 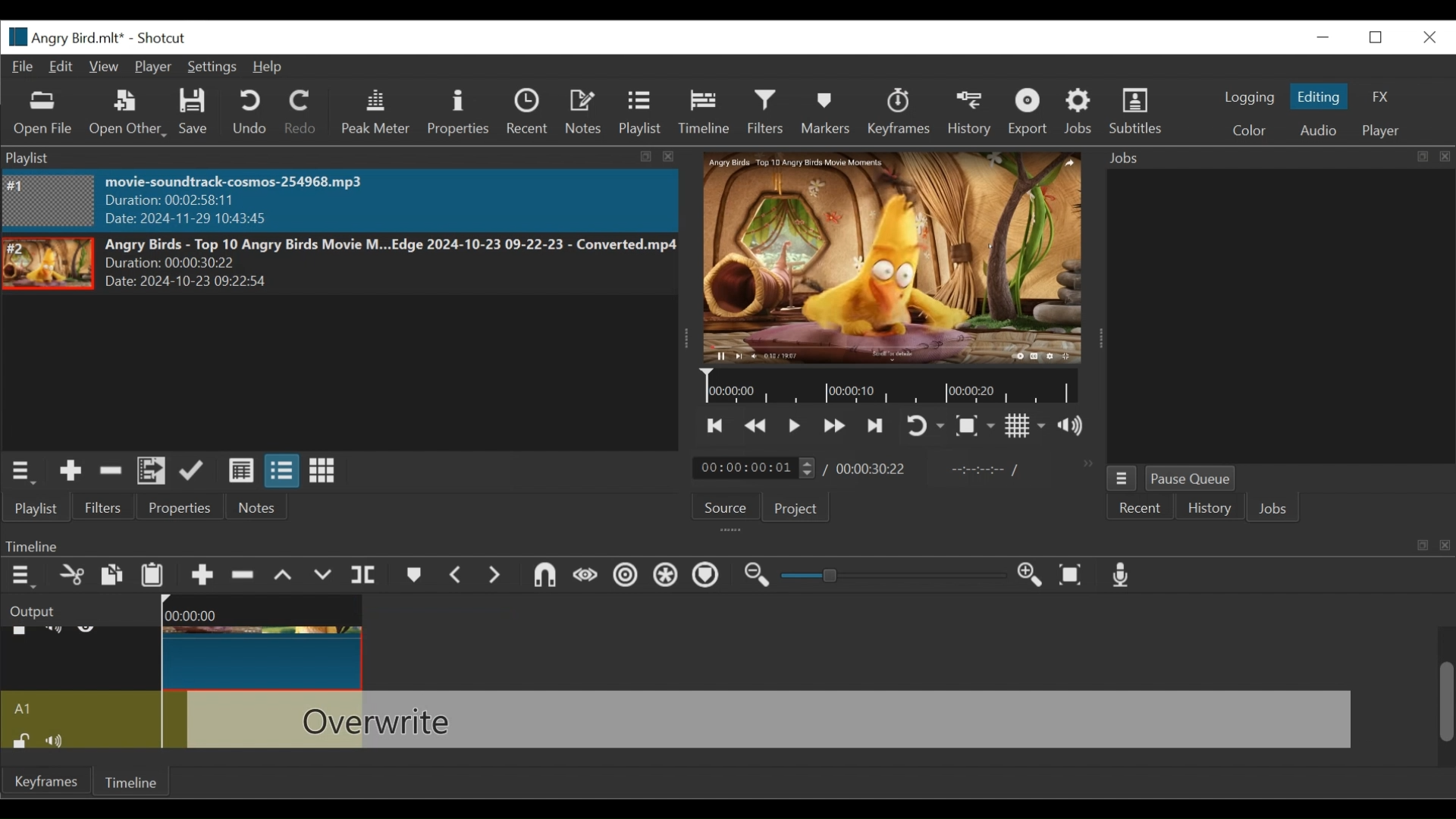 I want to click on Zoom timeline out, so click(x=761, y=576).